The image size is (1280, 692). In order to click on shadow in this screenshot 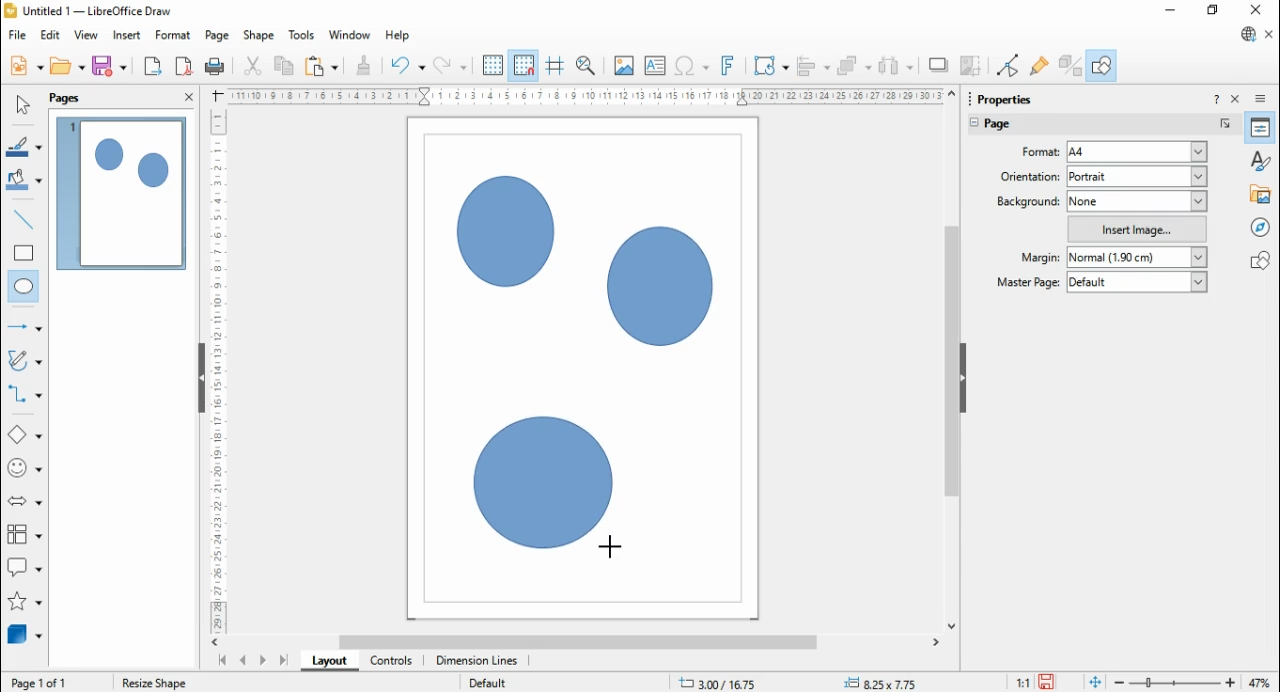, I will do `click(939, 65)`.